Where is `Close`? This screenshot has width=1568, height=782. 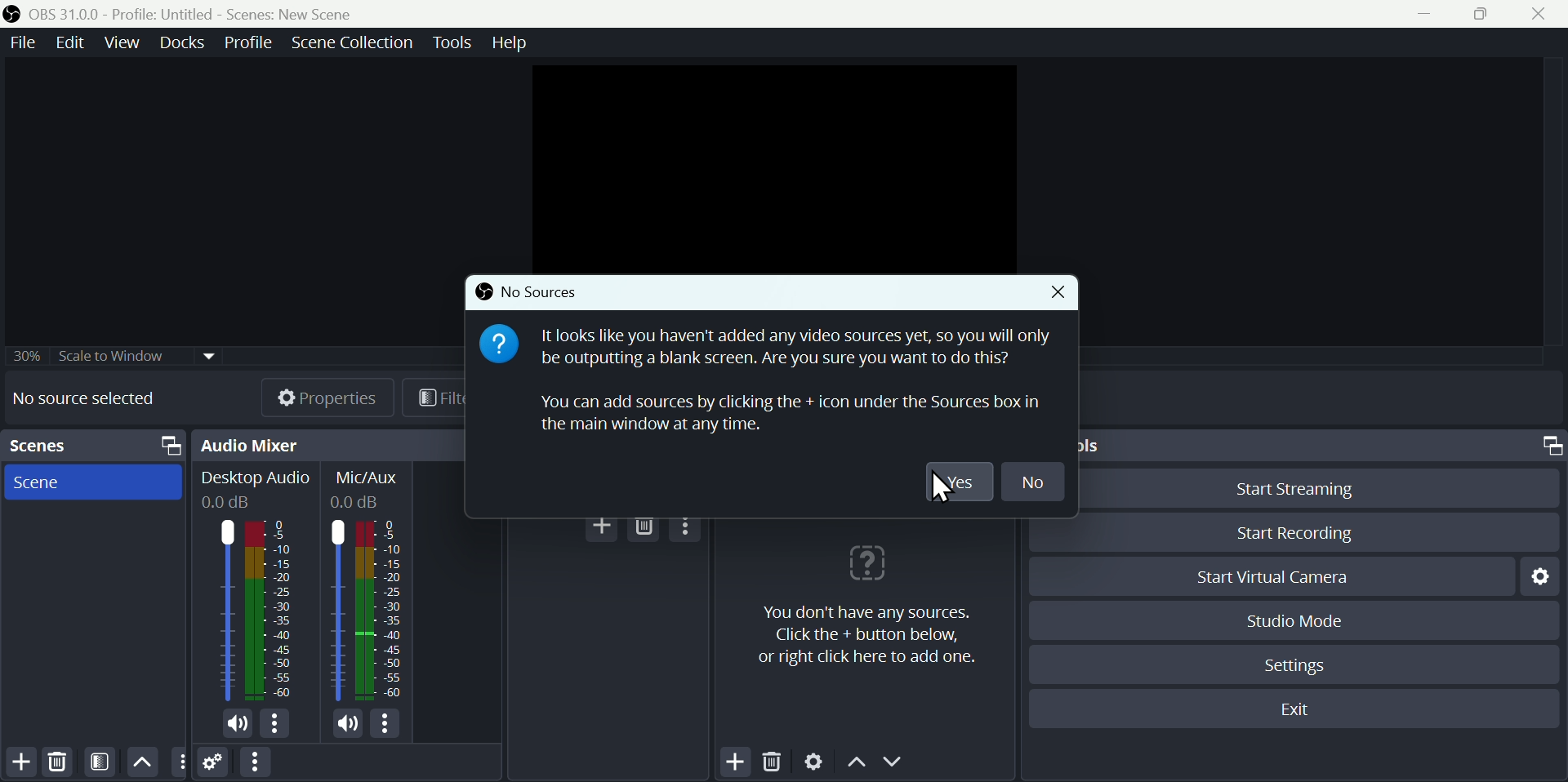
Close is located at coordinates (1061, 295).